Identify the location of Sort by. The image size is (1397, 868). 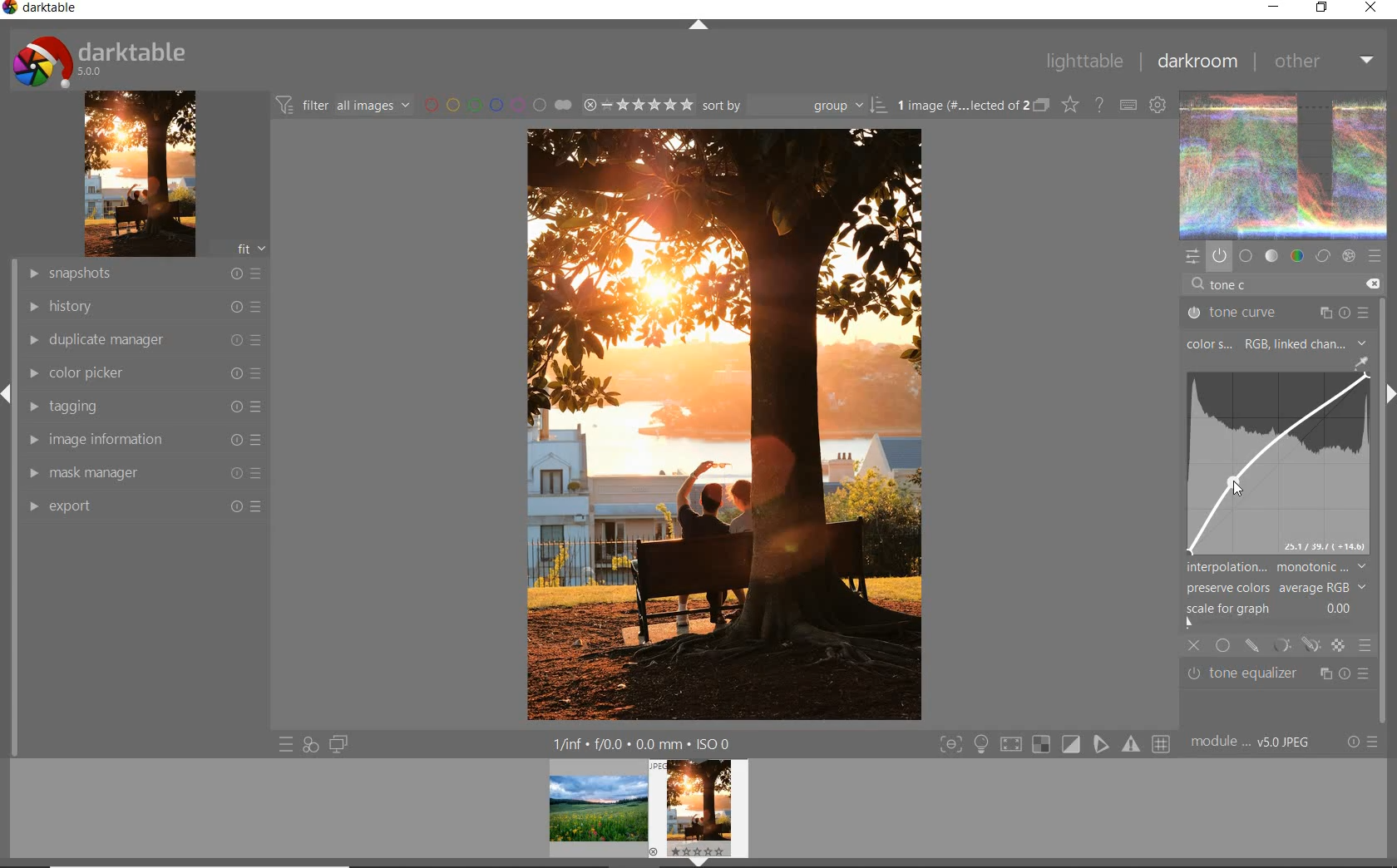
(794, 106).